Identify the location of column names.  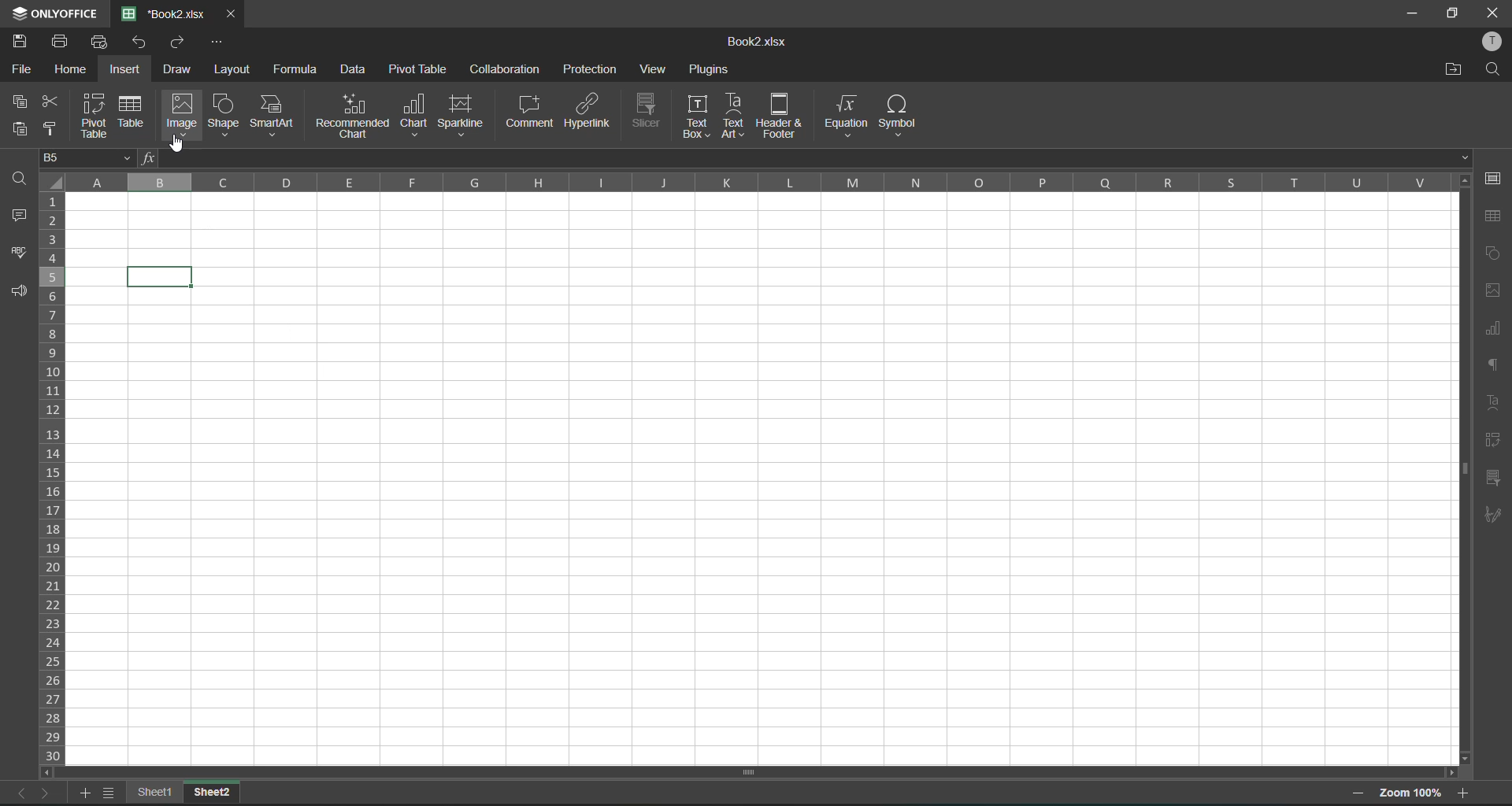
(758, 184).